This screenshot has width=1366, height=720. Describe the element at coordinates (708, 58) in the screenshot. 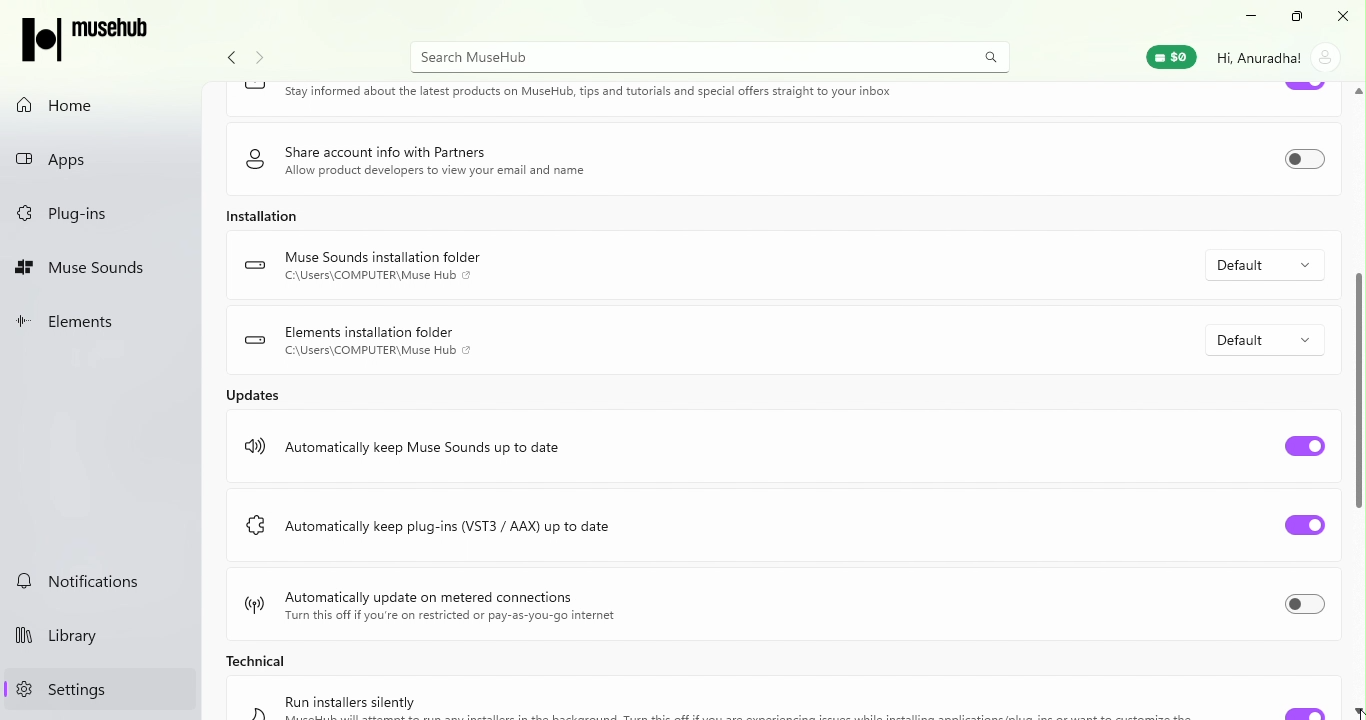

I see `Search MuseHUb` at that location.